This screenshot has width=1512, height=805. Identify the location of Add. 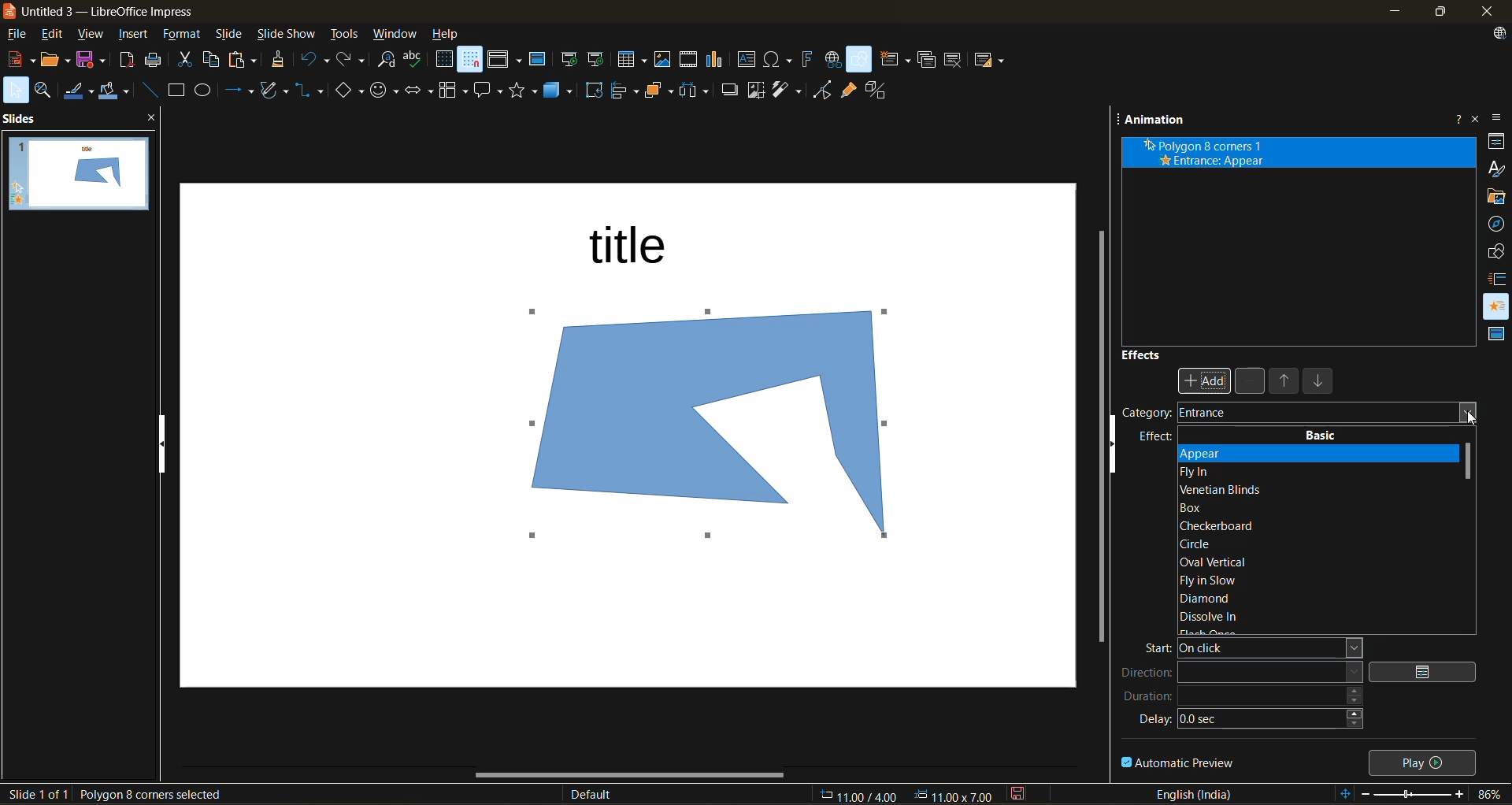
(1207, 384).